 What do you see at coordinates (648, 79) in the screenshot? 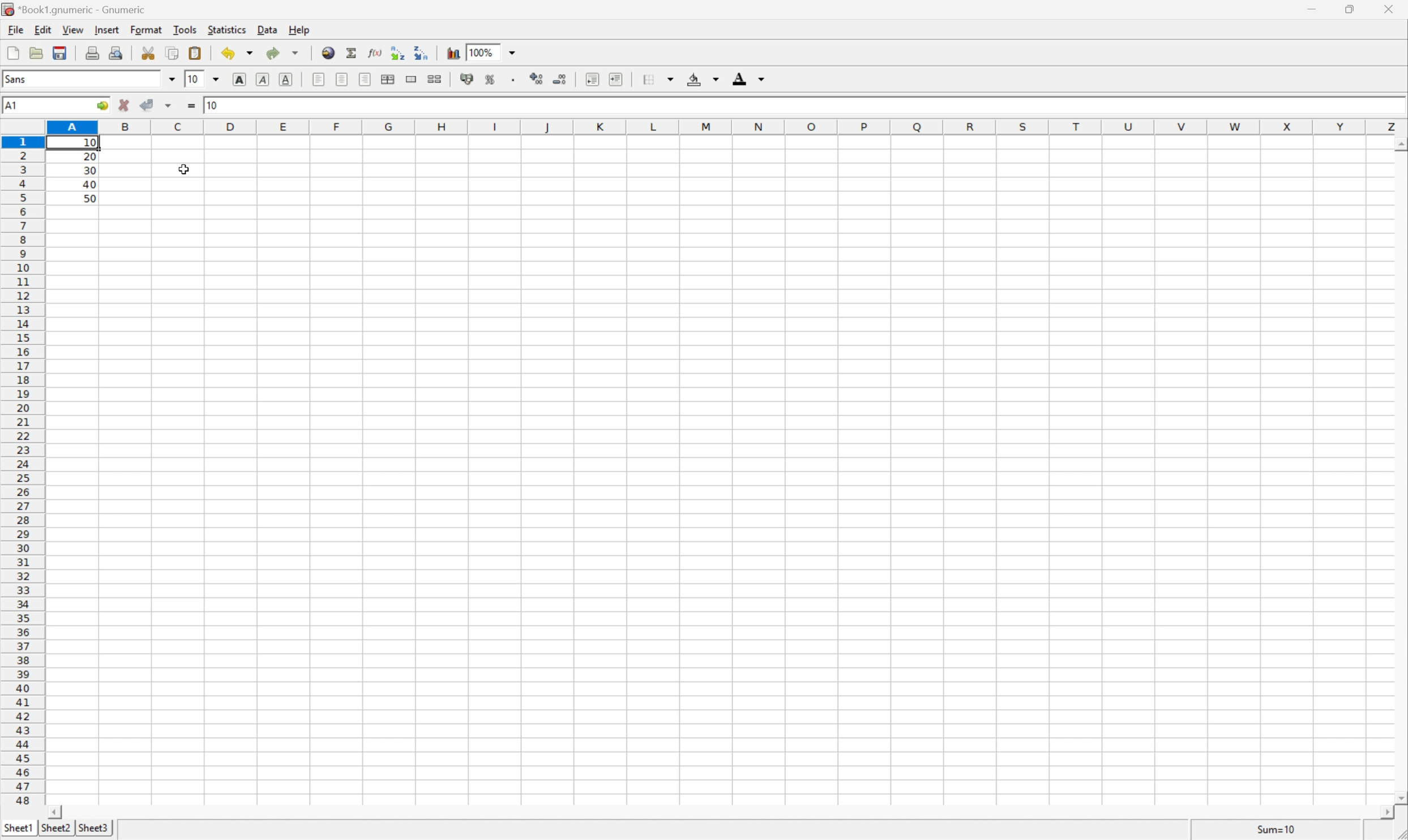
I see `Borders` at bounding box center [648, 79].